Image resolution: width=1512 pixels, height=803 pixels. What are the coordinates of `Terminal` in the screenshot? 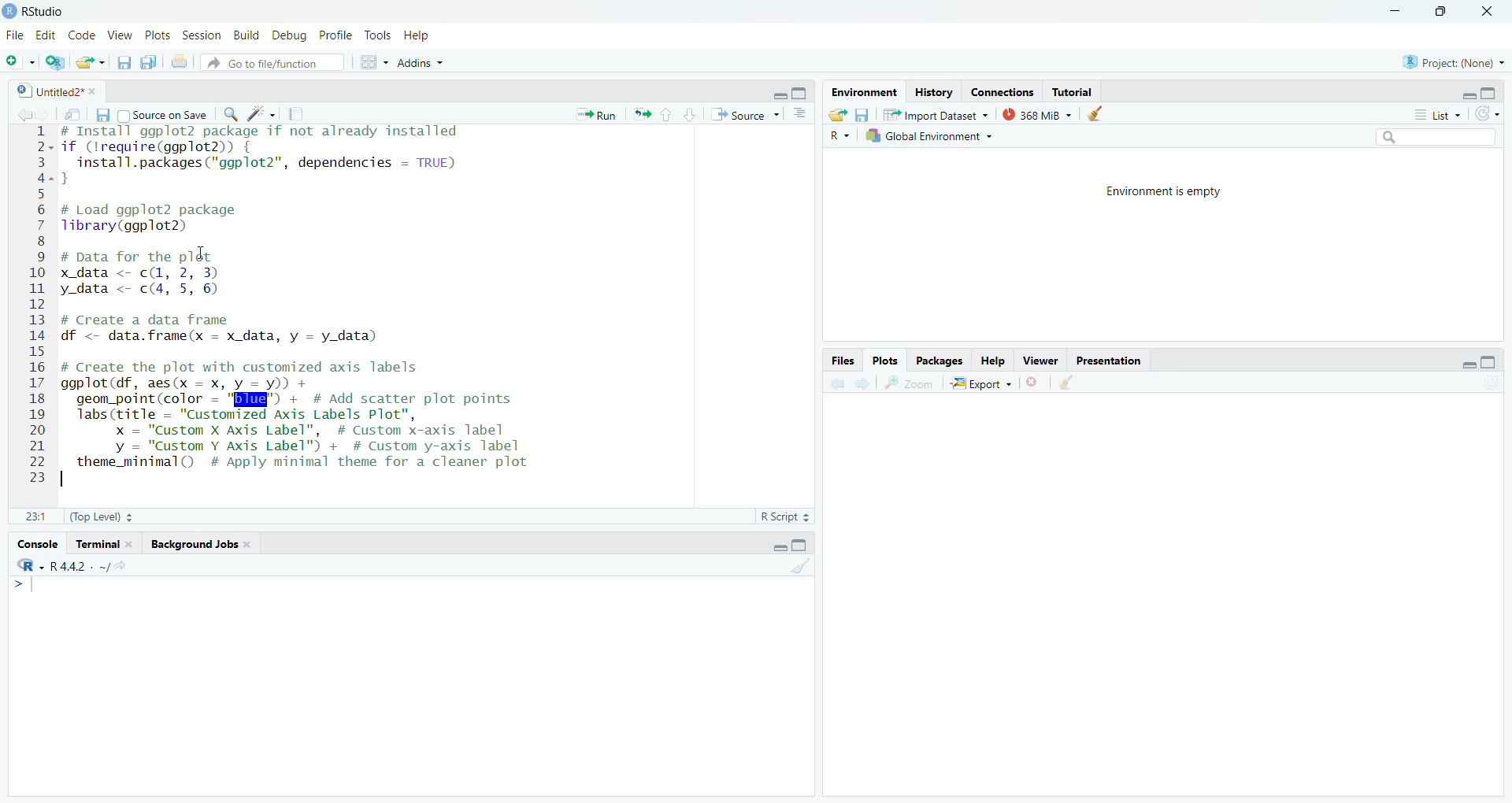 It's located at (106, 544).